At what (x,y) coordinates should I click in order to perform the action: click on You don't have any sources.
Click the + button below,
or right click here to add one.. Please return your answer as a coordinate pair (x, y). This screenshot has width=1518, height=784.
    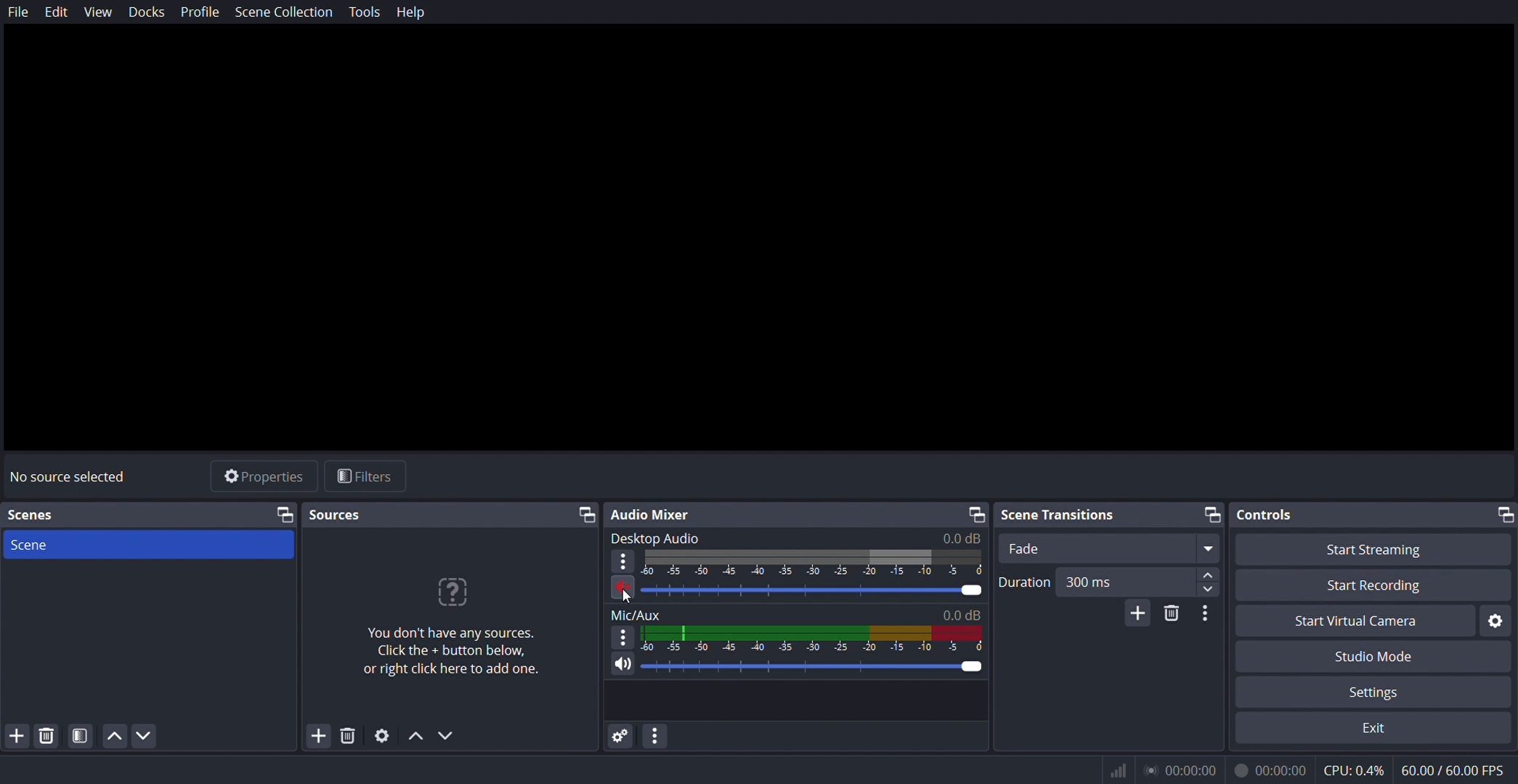
    Looking at the image, I should click on (452, 650).